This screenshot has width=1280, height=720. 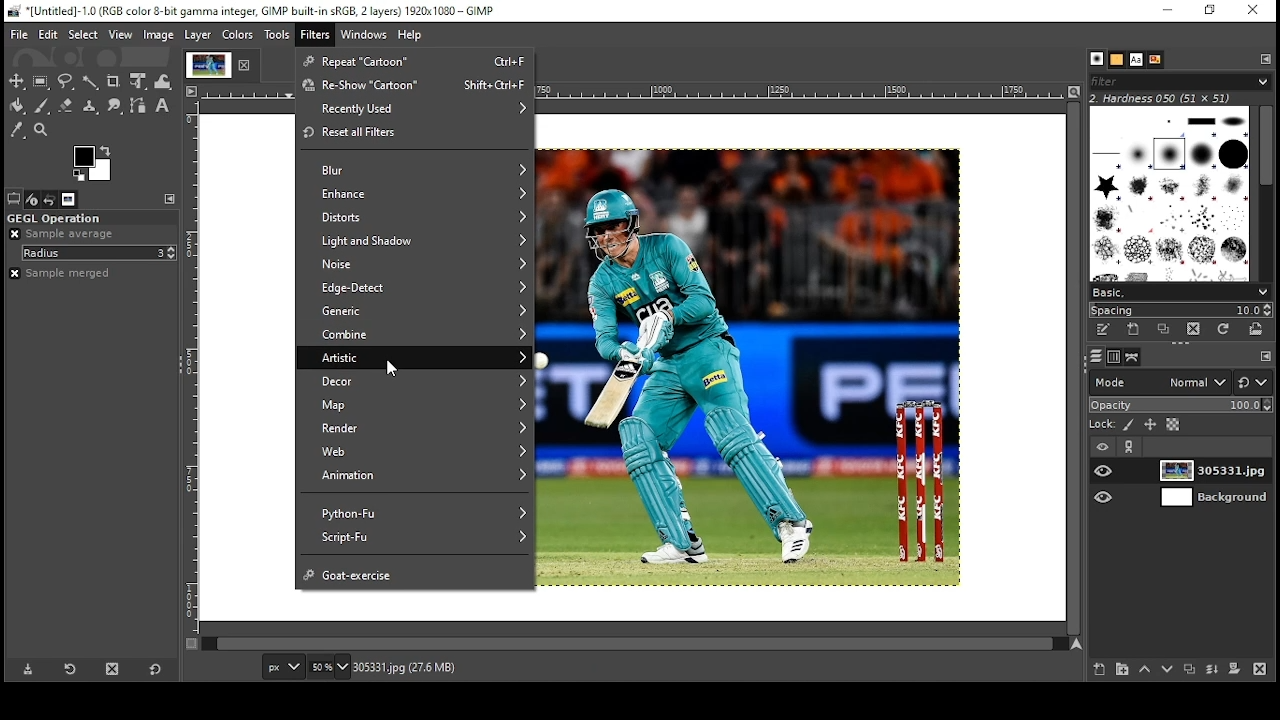 I want to click on eraser tool, so click(x=65, y=105).